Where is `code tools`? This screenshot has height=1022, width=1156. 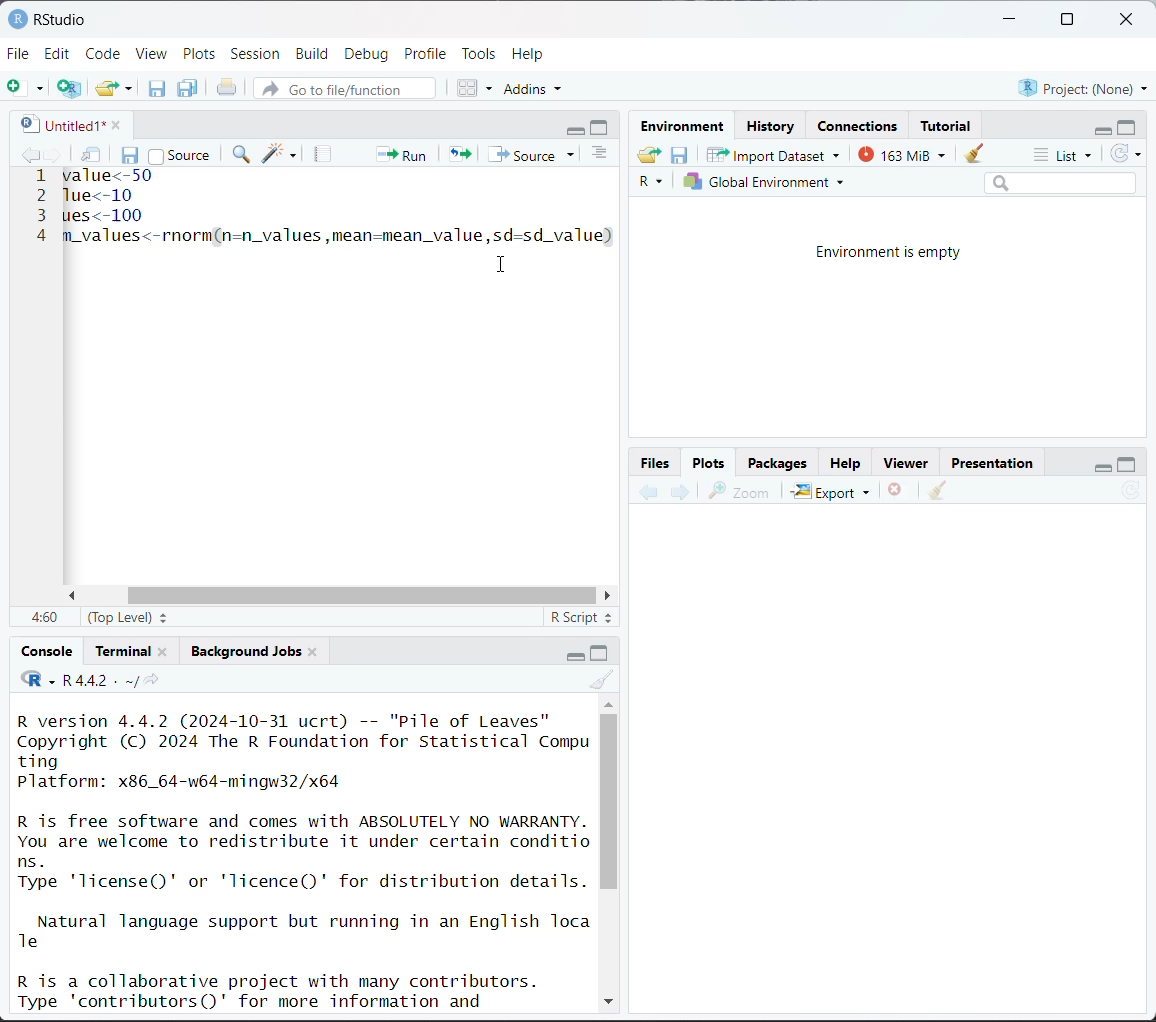
code tools is located at coordinates (280, 153).